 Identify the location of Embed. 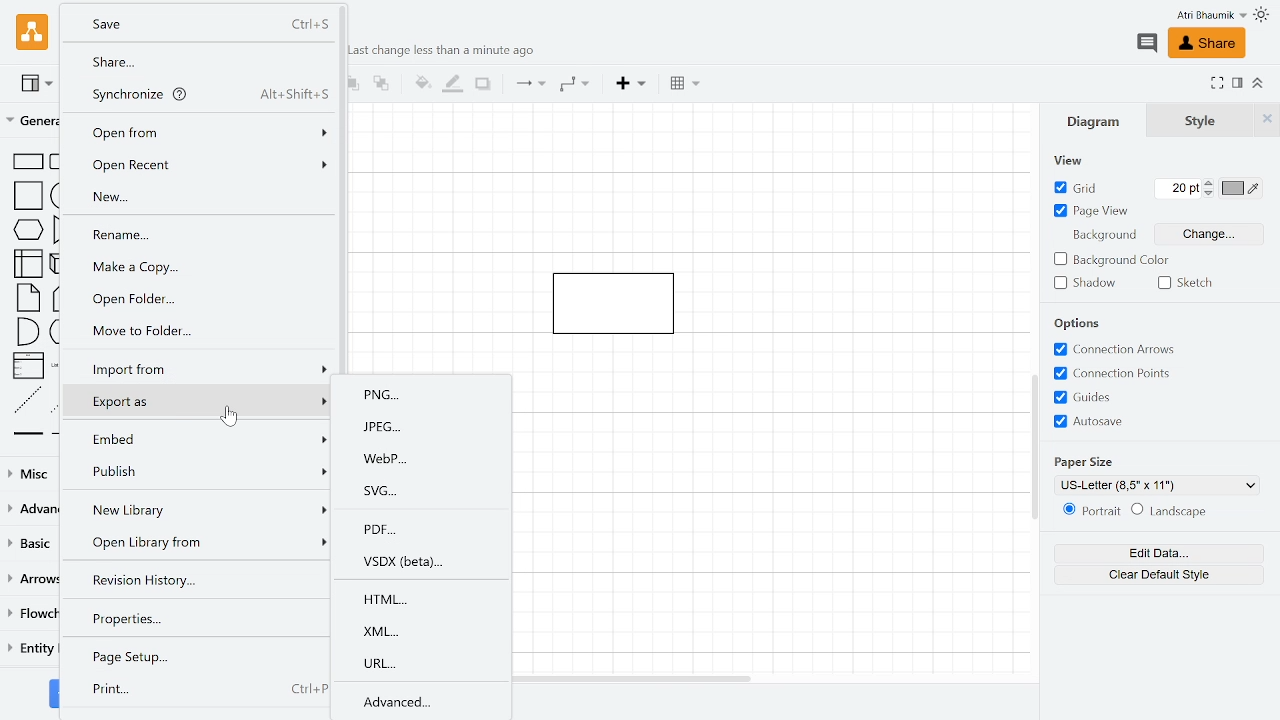
(198, 438).